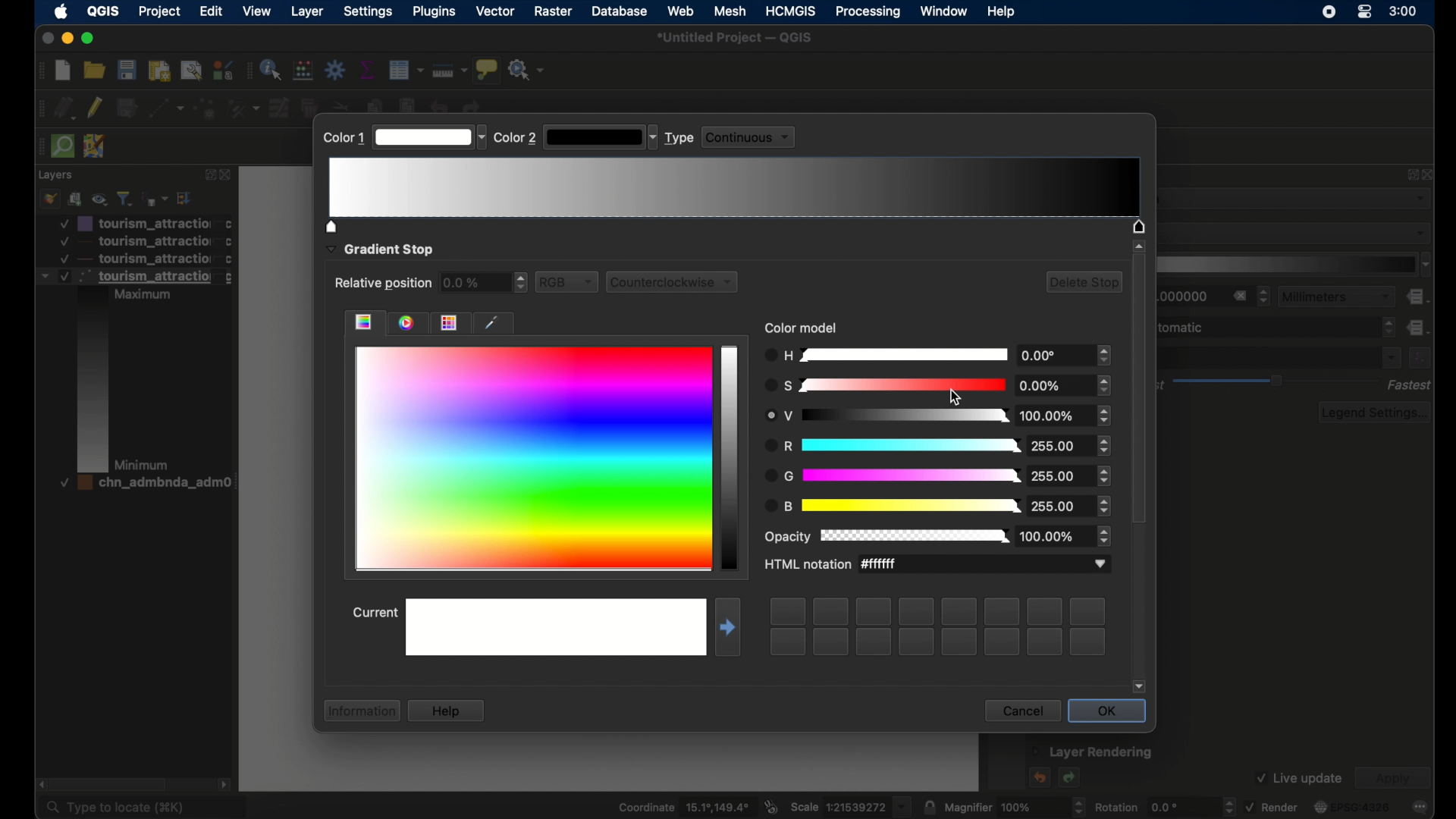 Image resolution: width=1456 pixels, height=819 pixels. Describe the element at coordinates (867, 12) in the screenshot. I see `processing` at that location.